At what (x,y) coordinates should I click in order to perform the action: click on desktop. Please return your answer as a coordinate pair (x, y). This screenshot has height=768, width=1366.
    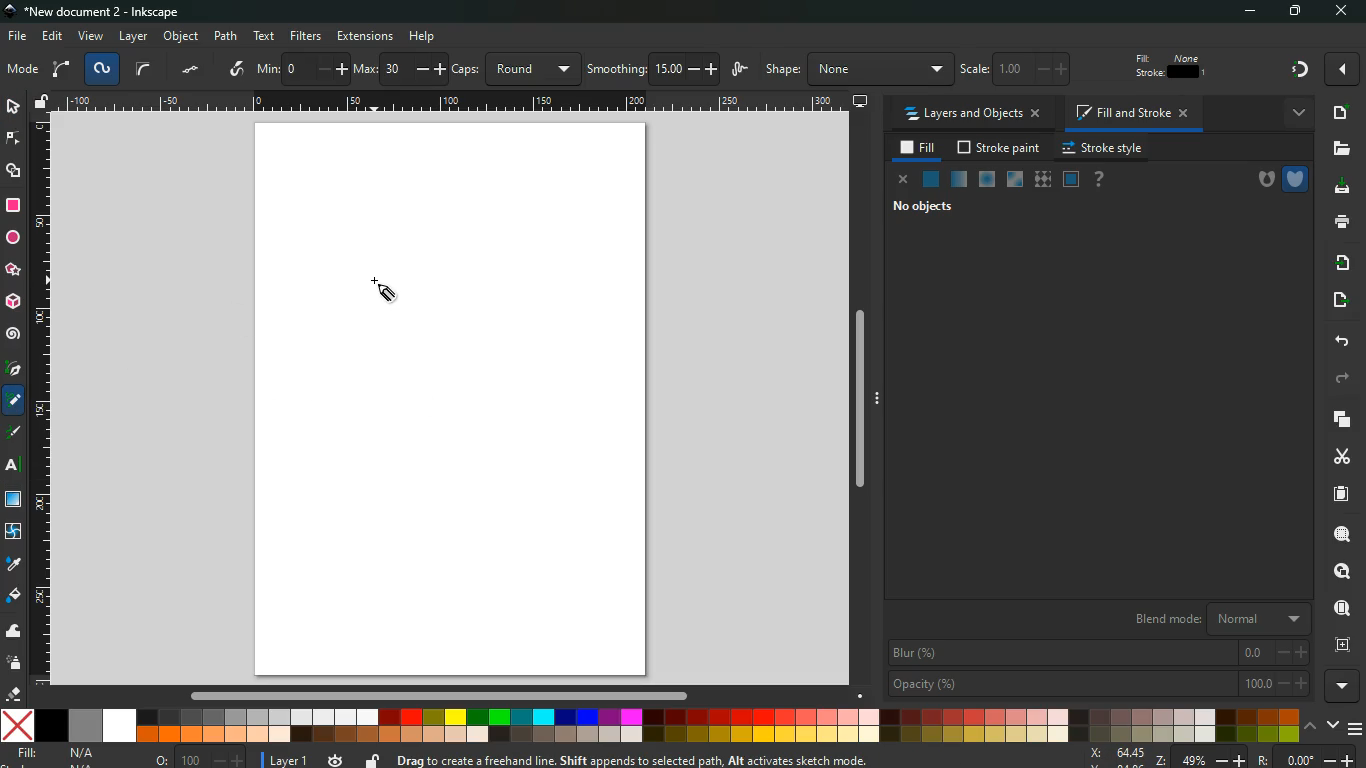
    Looking at the image, I should click on (859, 102).